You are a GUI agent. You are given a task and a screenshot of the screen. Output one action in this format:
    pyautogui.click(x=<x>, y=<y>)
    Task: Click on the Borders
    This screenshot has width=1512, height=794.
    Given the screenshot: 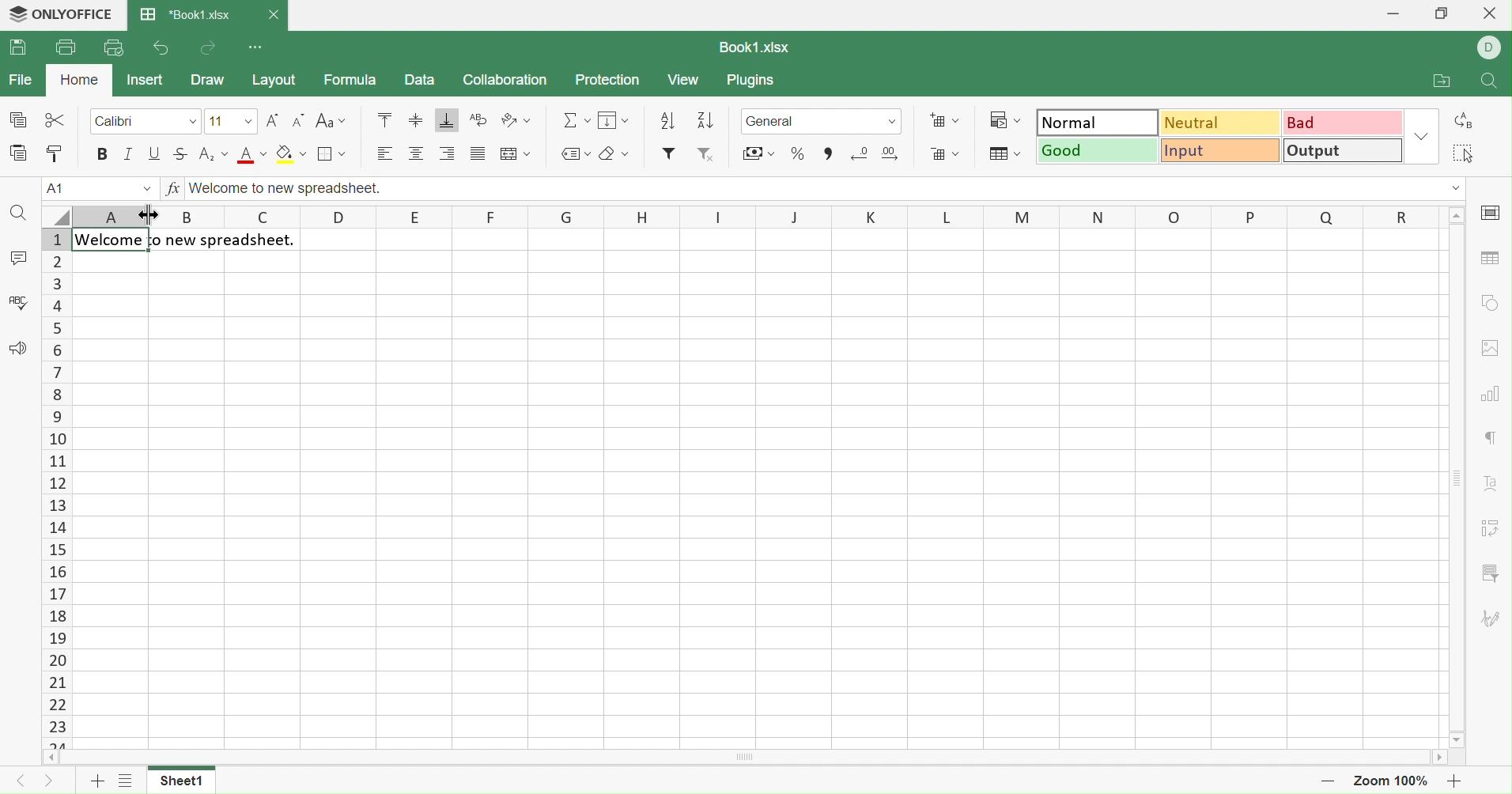 What is the action you would take?
    pyautogui.click(x=329, y=153)
    